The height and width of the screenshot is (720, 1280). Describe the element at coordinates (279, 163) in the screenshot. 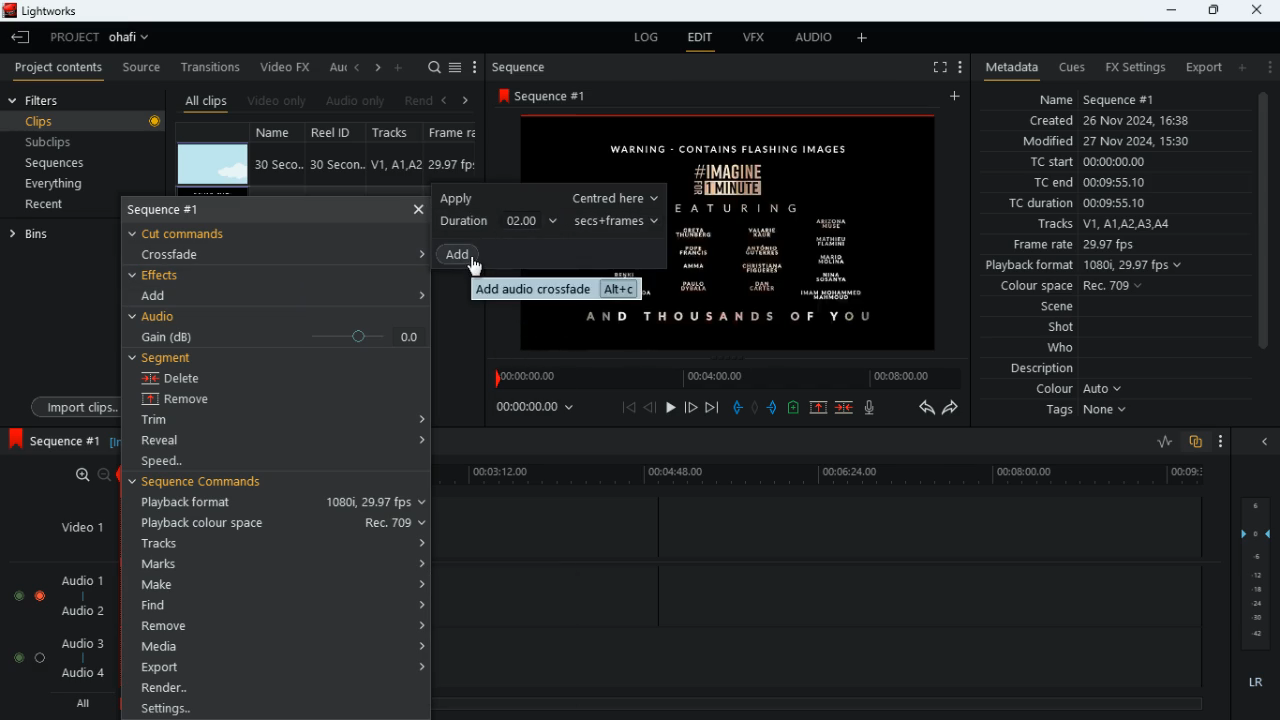

I see `30 seco..` at that location.